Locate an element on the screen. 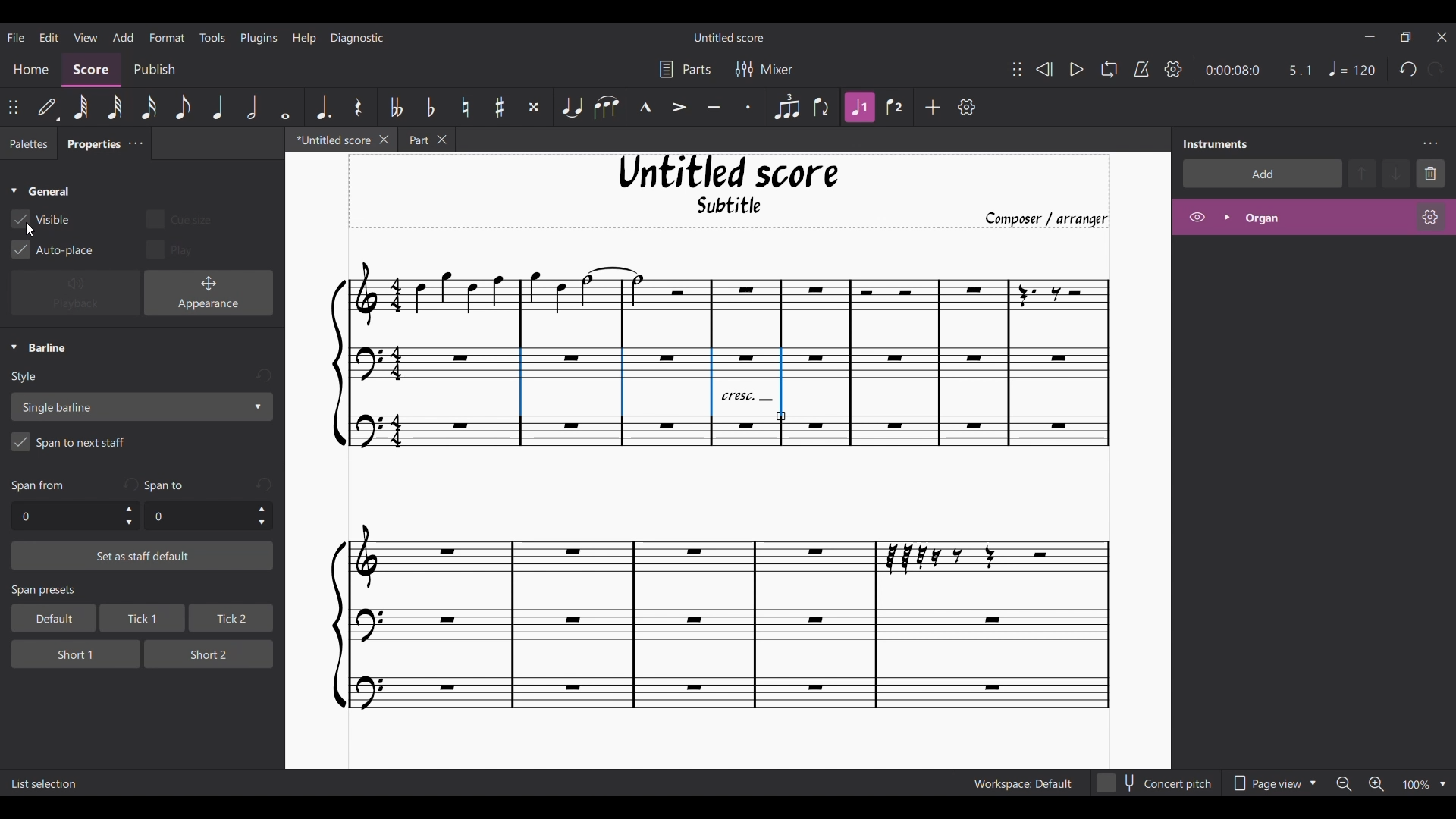 The height and width of the screenshot is (819, 1456). Plugins menu is located at coordinates (259, 37).